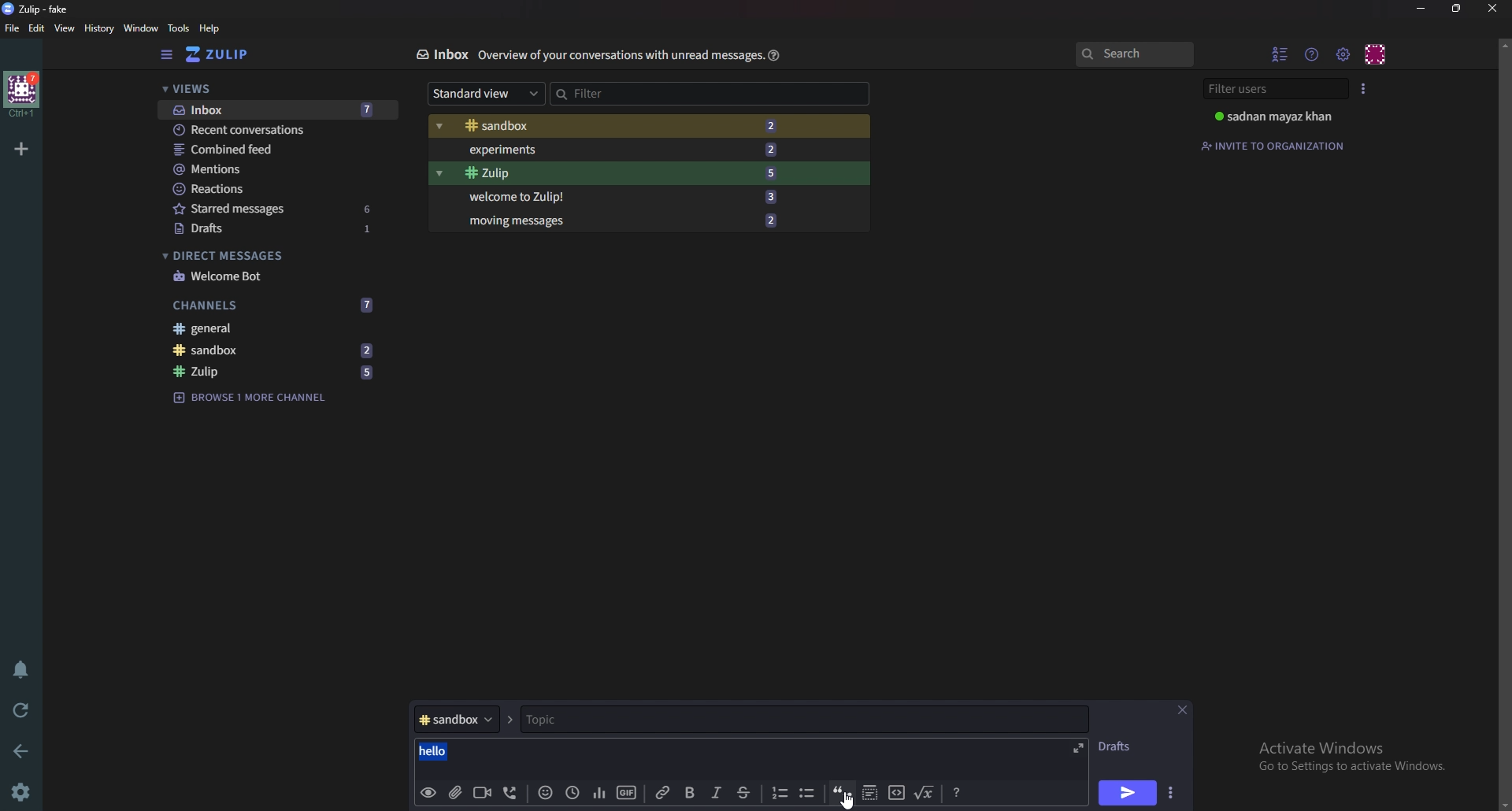 This screenshot has height=811, width=1512. Describe the element at coordinates (1118, 747) in the screenshot. I see `DRAFTS` at that location.